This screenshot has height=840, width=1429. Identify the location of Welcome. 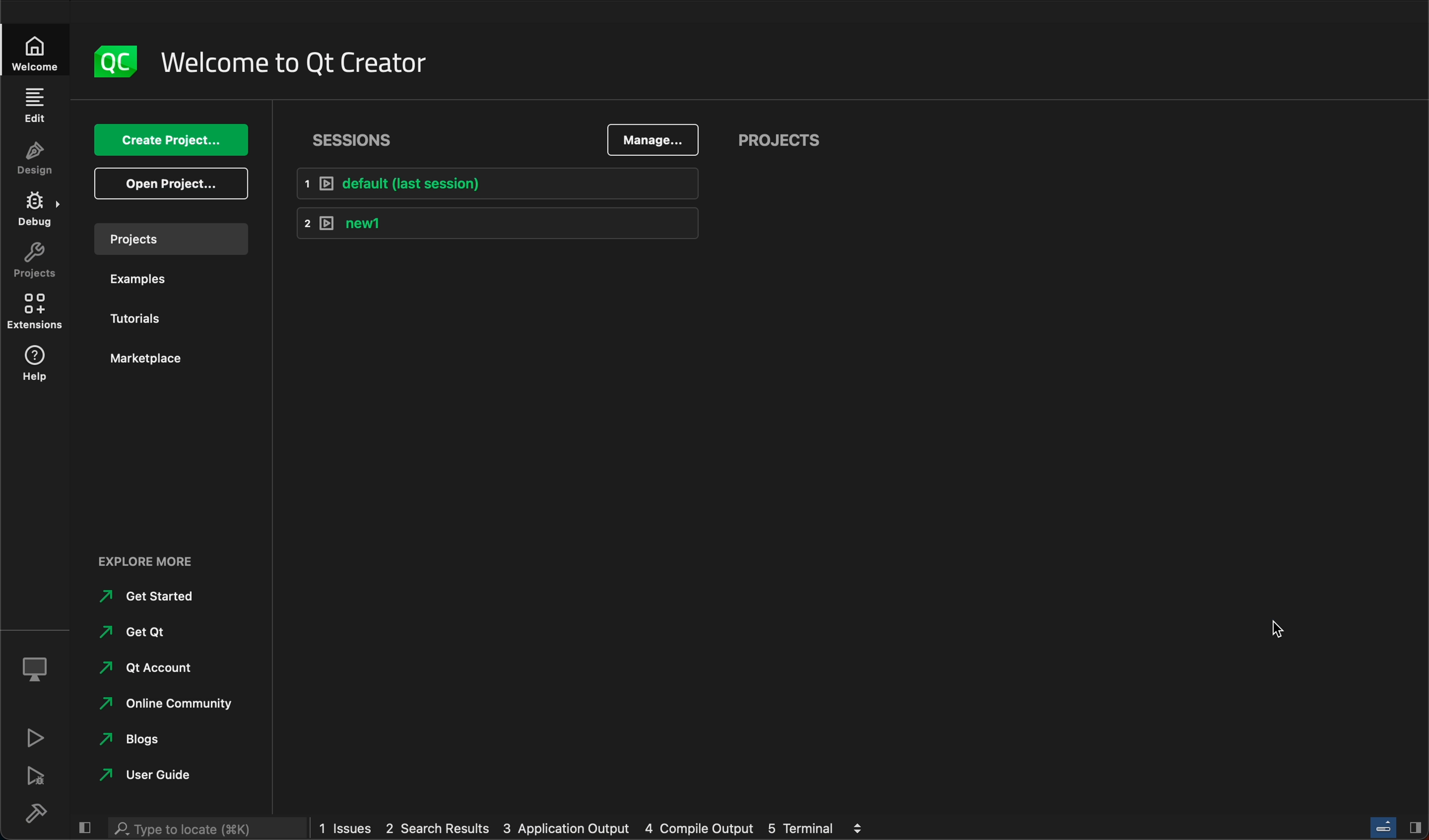
(41, 52).